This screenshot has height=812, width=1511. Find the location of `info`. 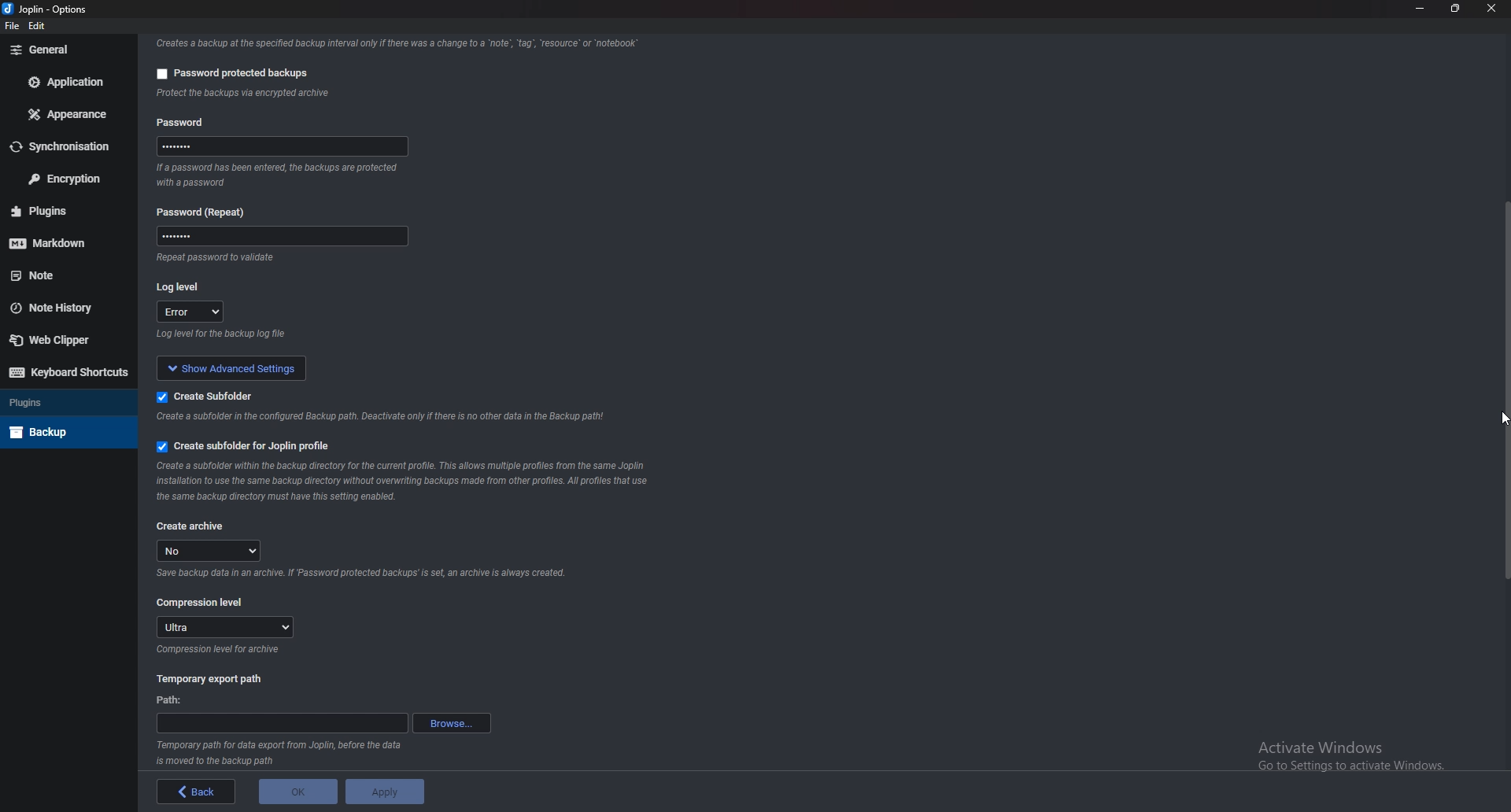

info is located at coordinates (393, 42).